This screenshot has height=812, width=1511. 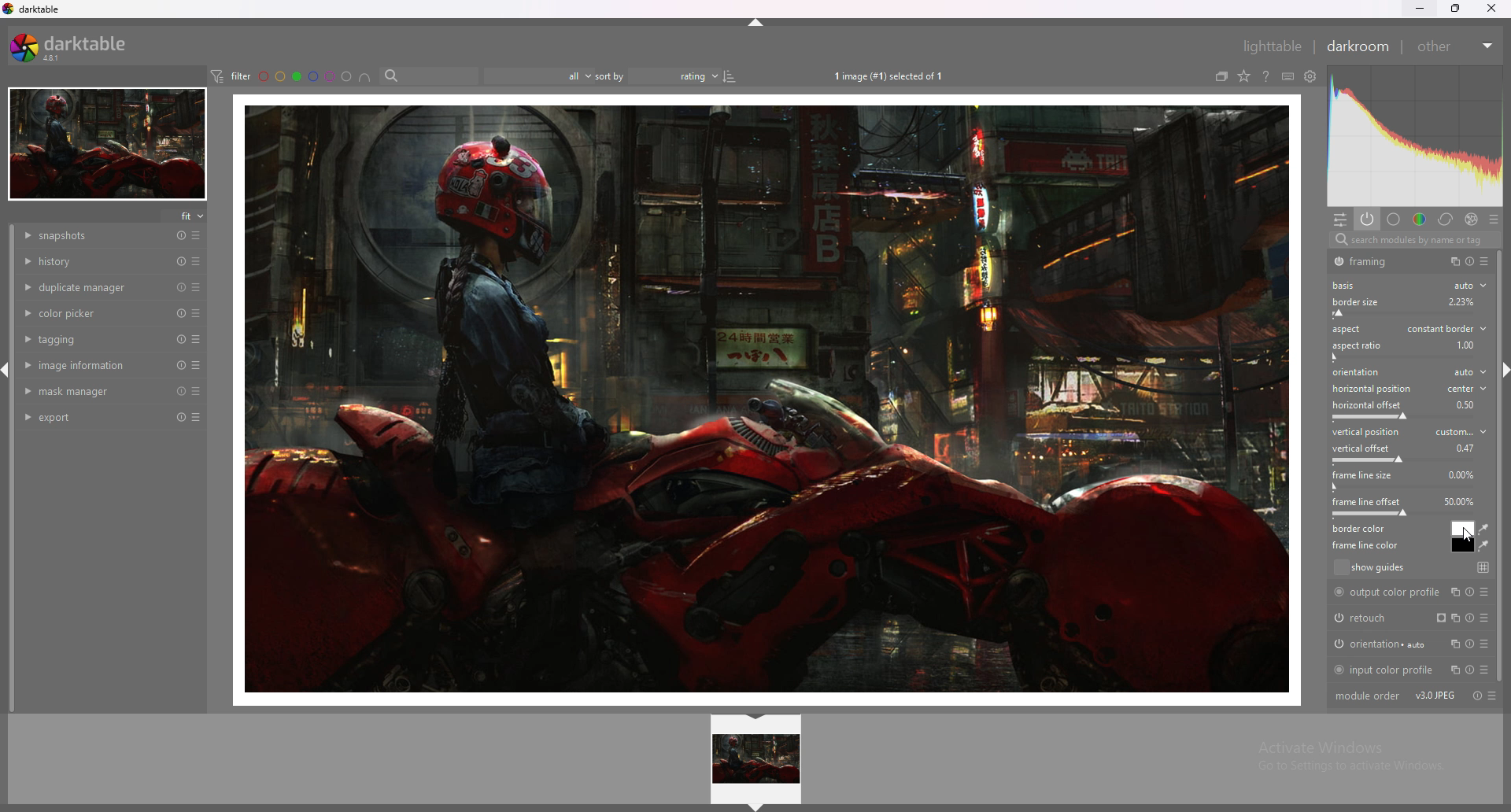 I want to click on vertical position, so click(x=1409, y=431).